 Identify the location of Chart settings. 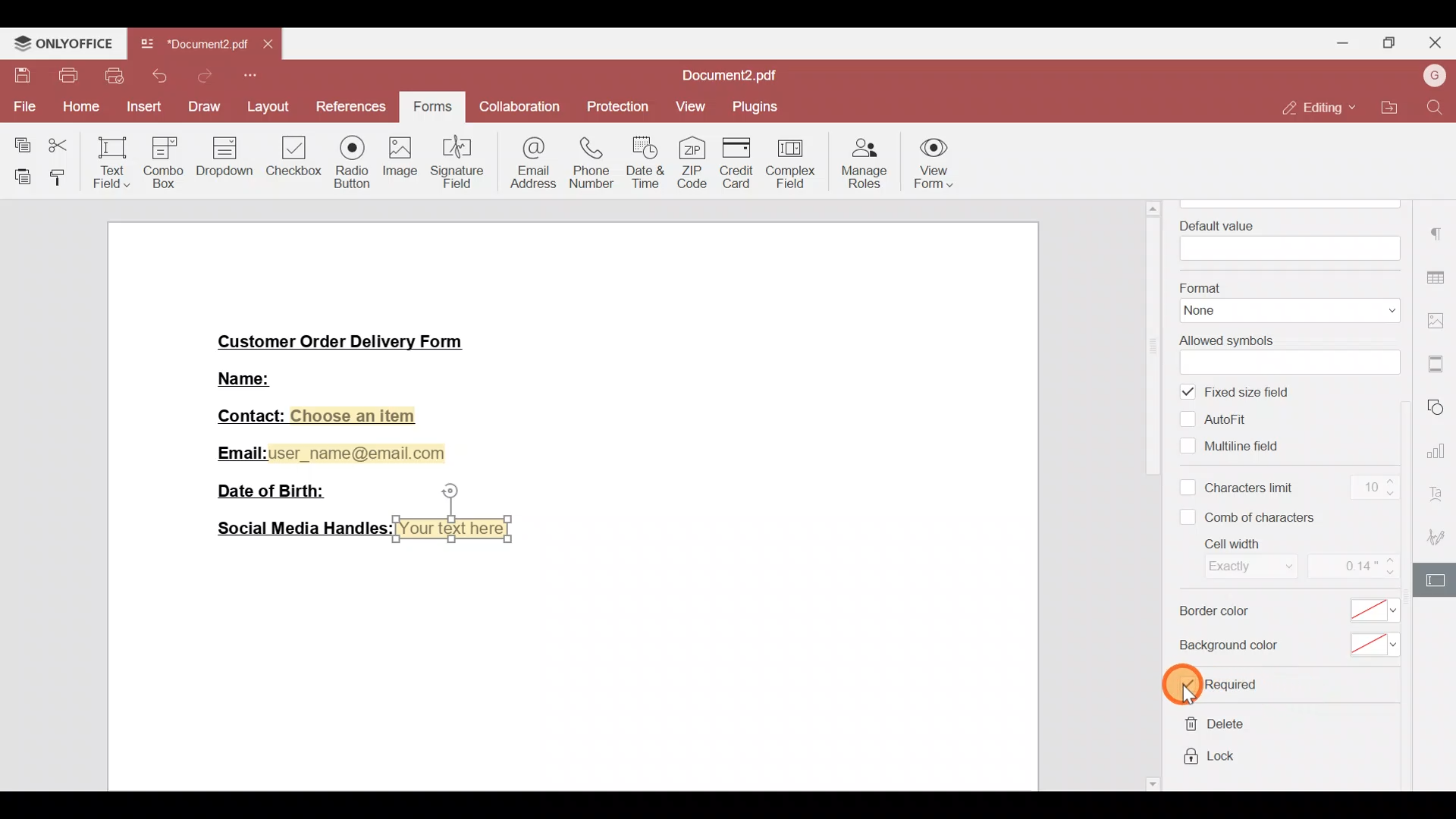
(1439, 451).